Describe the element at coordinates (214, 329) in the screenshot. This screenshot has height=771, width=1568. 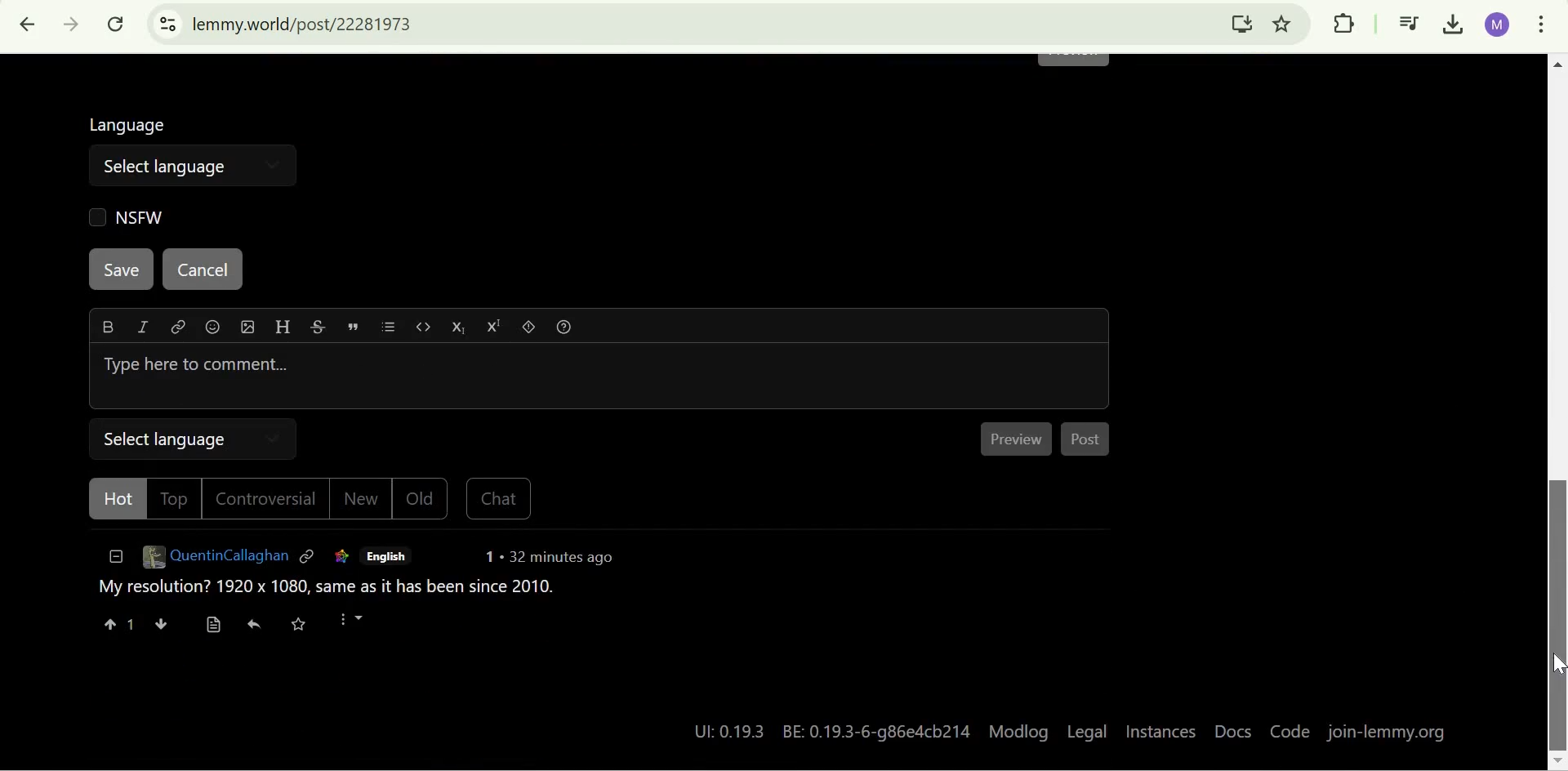
I see `emoji` at that location.